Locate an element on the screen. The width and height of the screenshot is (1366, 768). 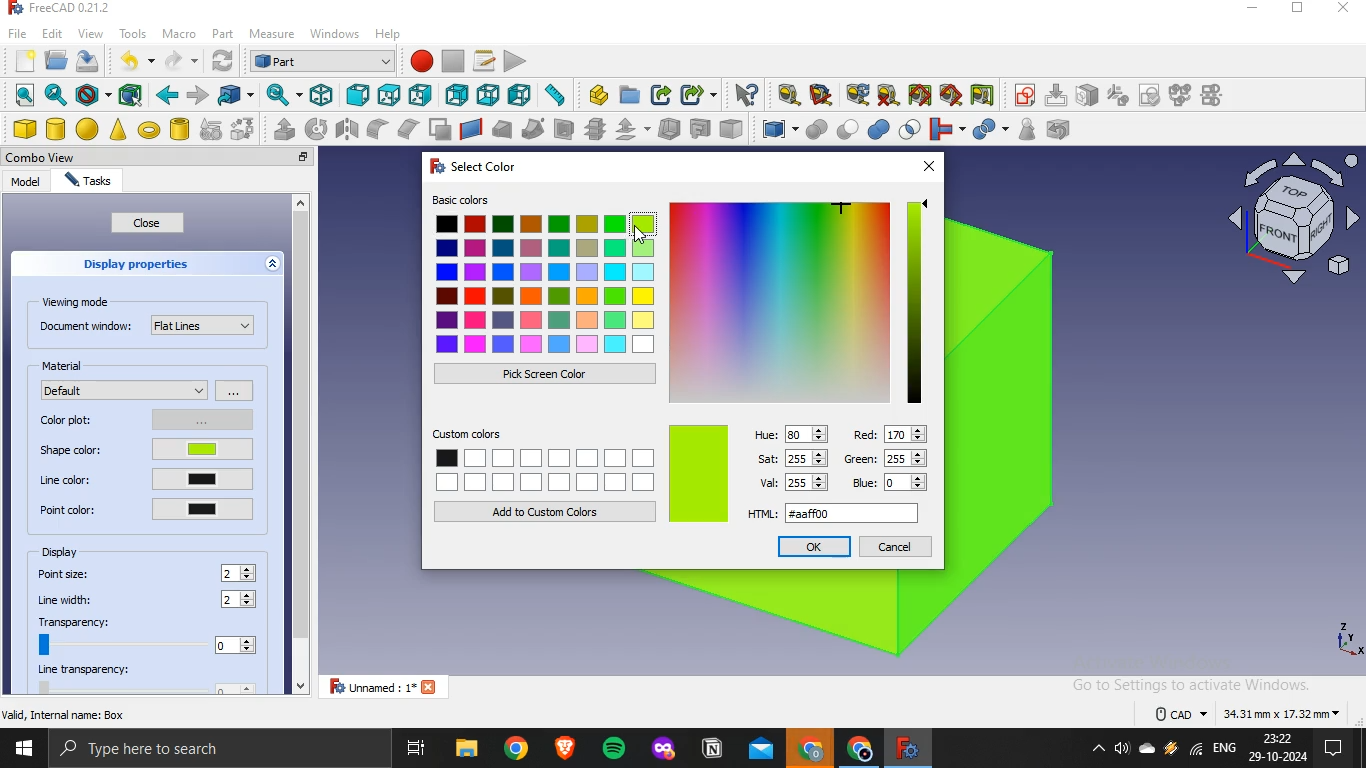
torus is located at coordinates (149, 130).